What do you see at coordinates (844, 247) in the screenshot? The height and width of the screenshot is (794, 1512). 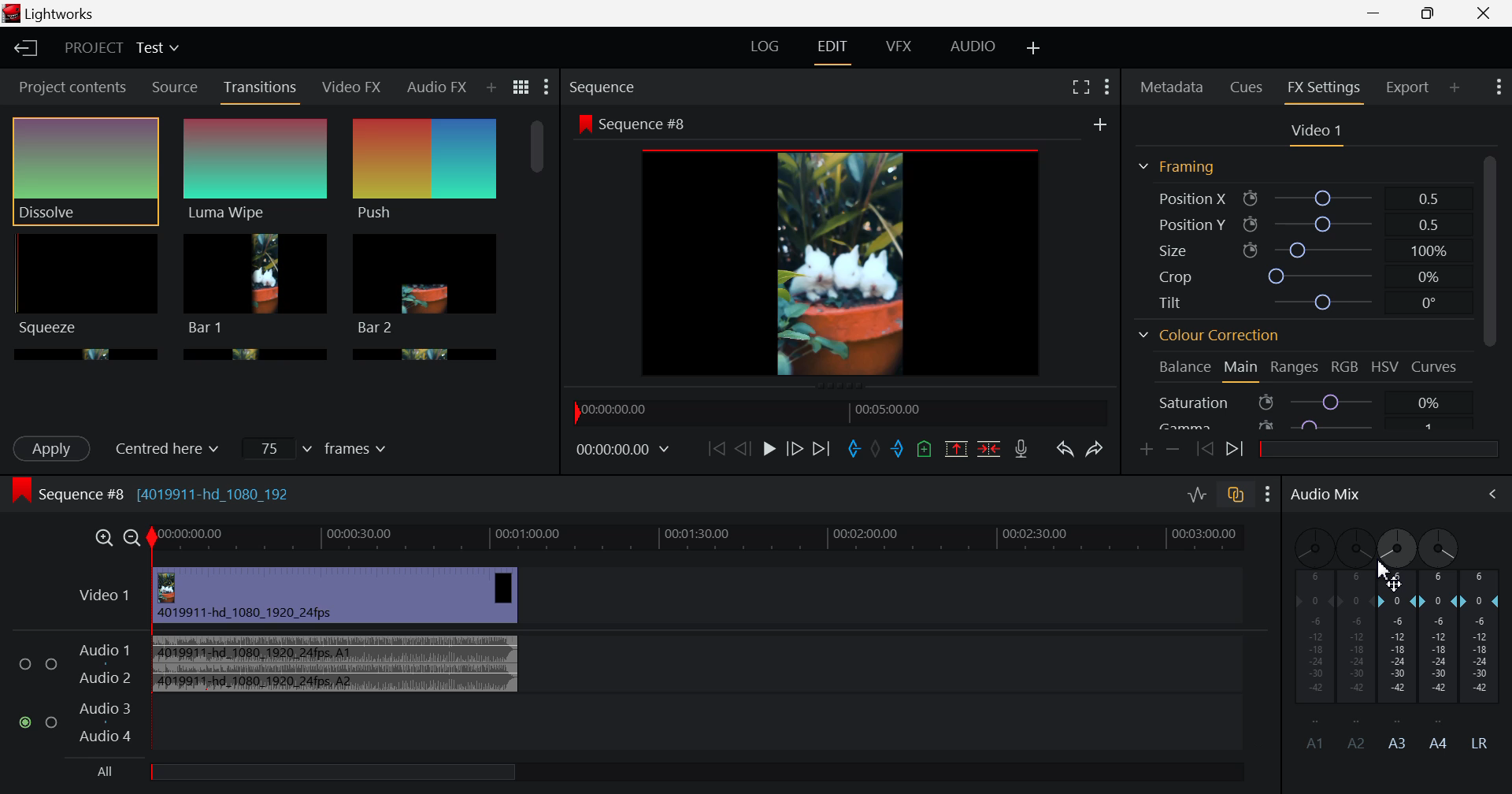 I see `Sequence Preview Screen` at bounding box center [844, 247].